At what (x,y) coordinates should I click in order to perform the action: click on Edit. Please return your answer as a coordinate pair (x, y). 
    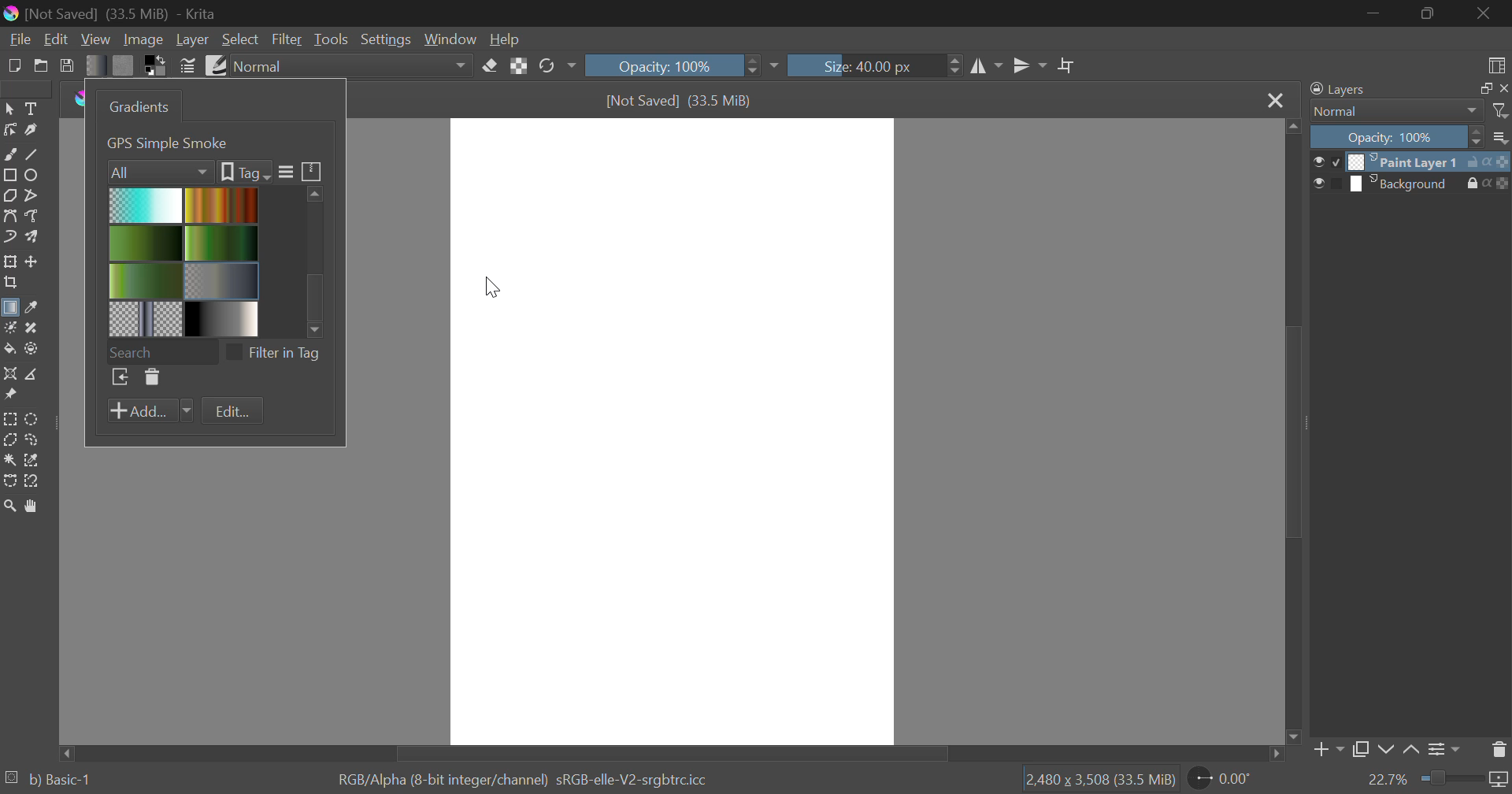
    Looking at the image, I should click on (57, 39).